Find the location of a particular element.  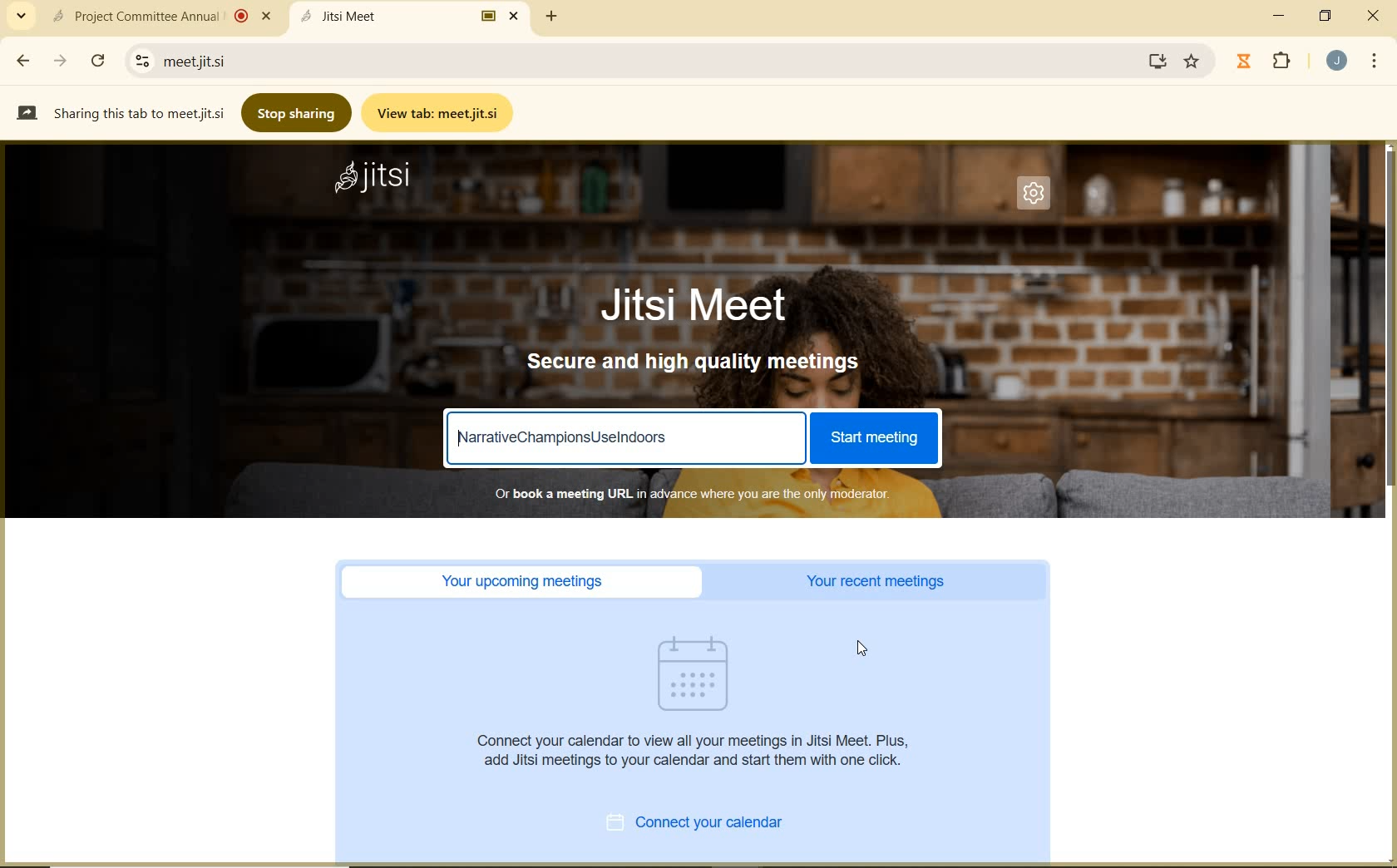

settings is located at coordinates (139, 61).